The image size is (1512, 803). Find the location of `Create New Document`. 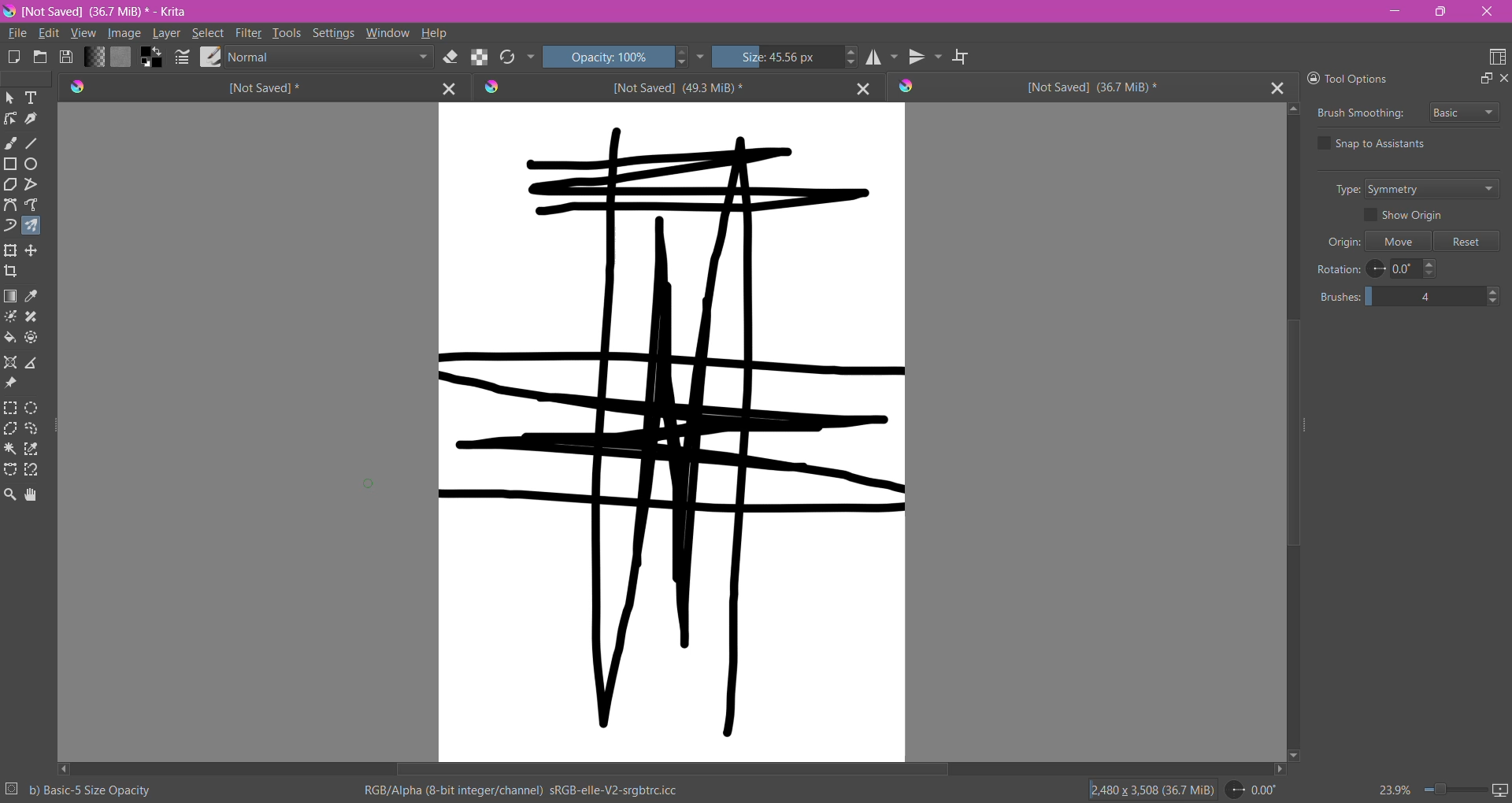

Create New Document is located at coordinates (13, 59).